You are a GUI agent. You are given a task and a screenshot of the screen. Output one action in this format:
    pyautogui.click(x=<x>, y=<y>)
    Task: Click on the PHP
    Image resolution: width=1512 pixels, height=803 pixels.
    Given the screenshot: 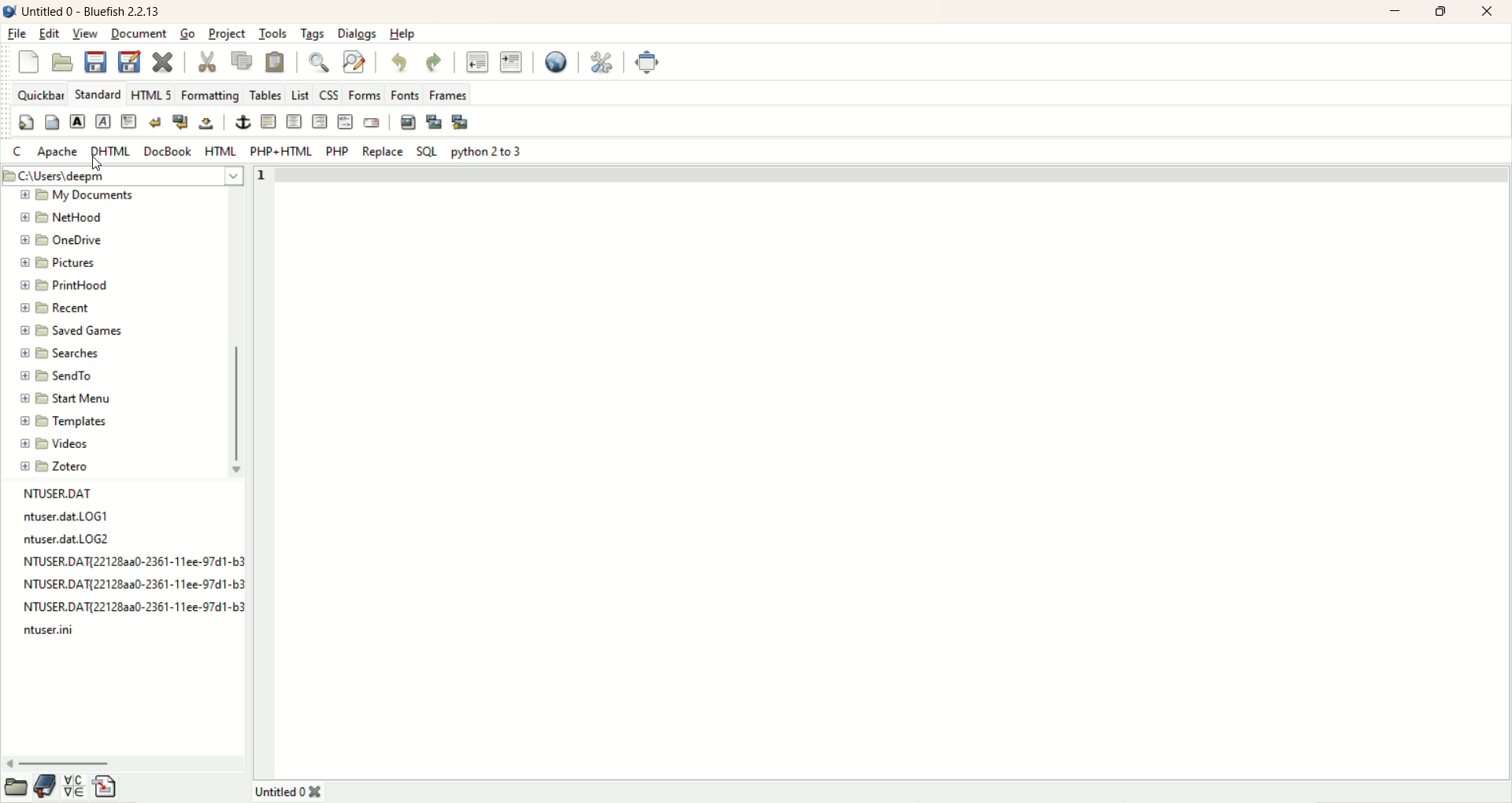 What is the action you would take?
    pyautogui.click(x=337, y=150)
    